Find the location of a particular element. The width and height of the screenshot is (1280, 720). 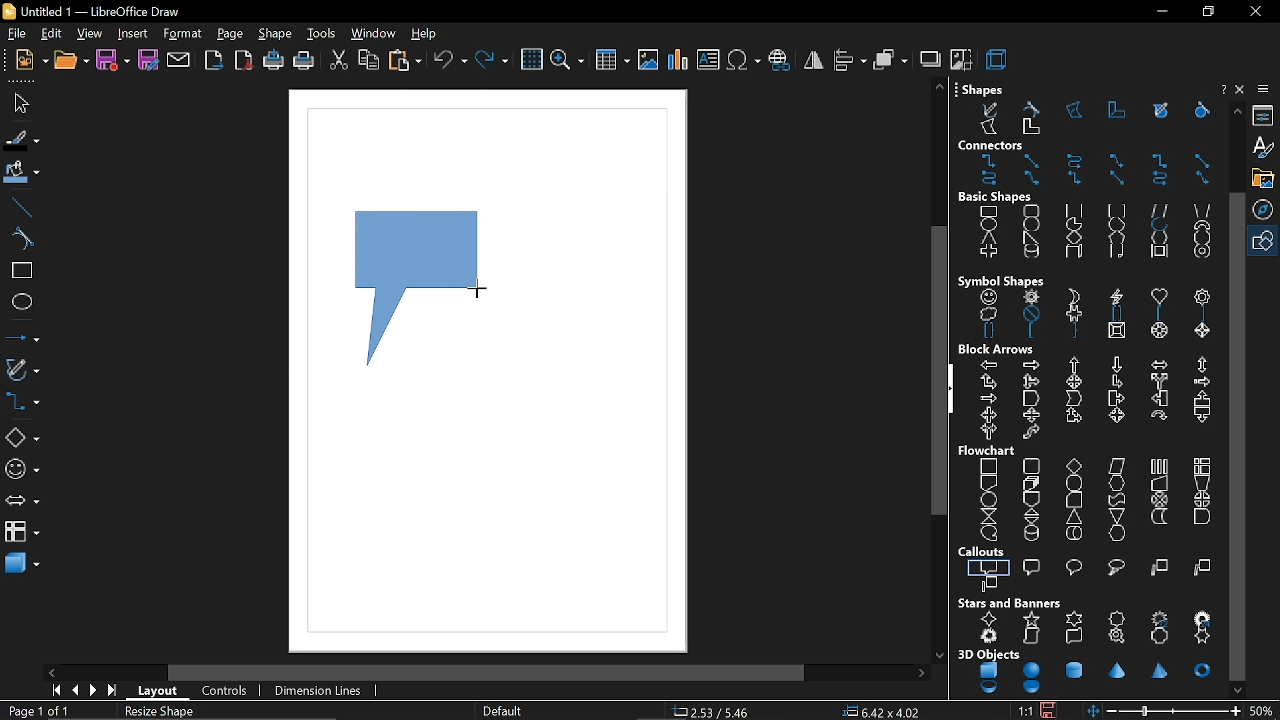

lines and arrows is located at coordinates (20, 334).